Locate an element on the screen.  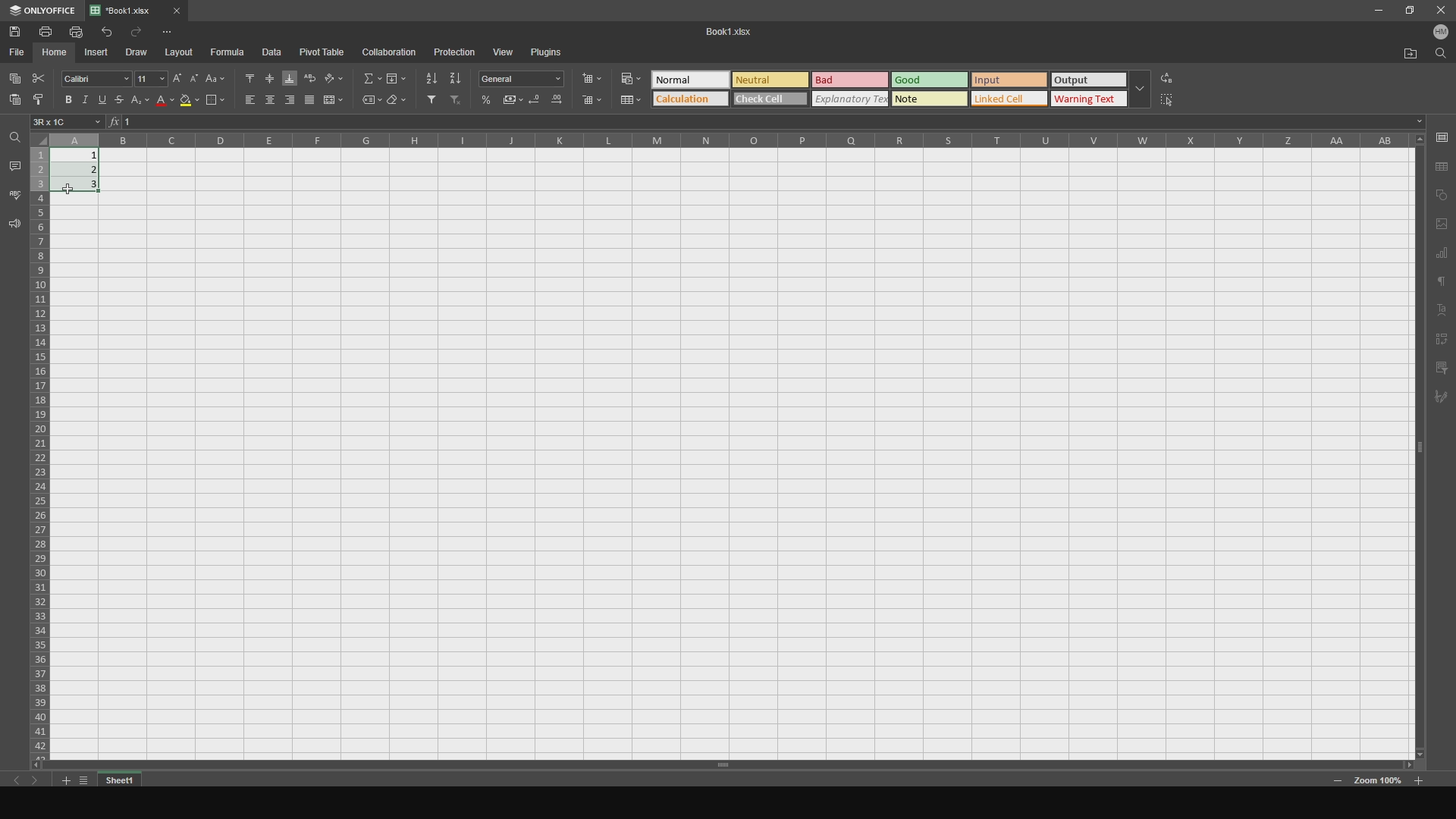
file tab is located at coordinates (155, 9).